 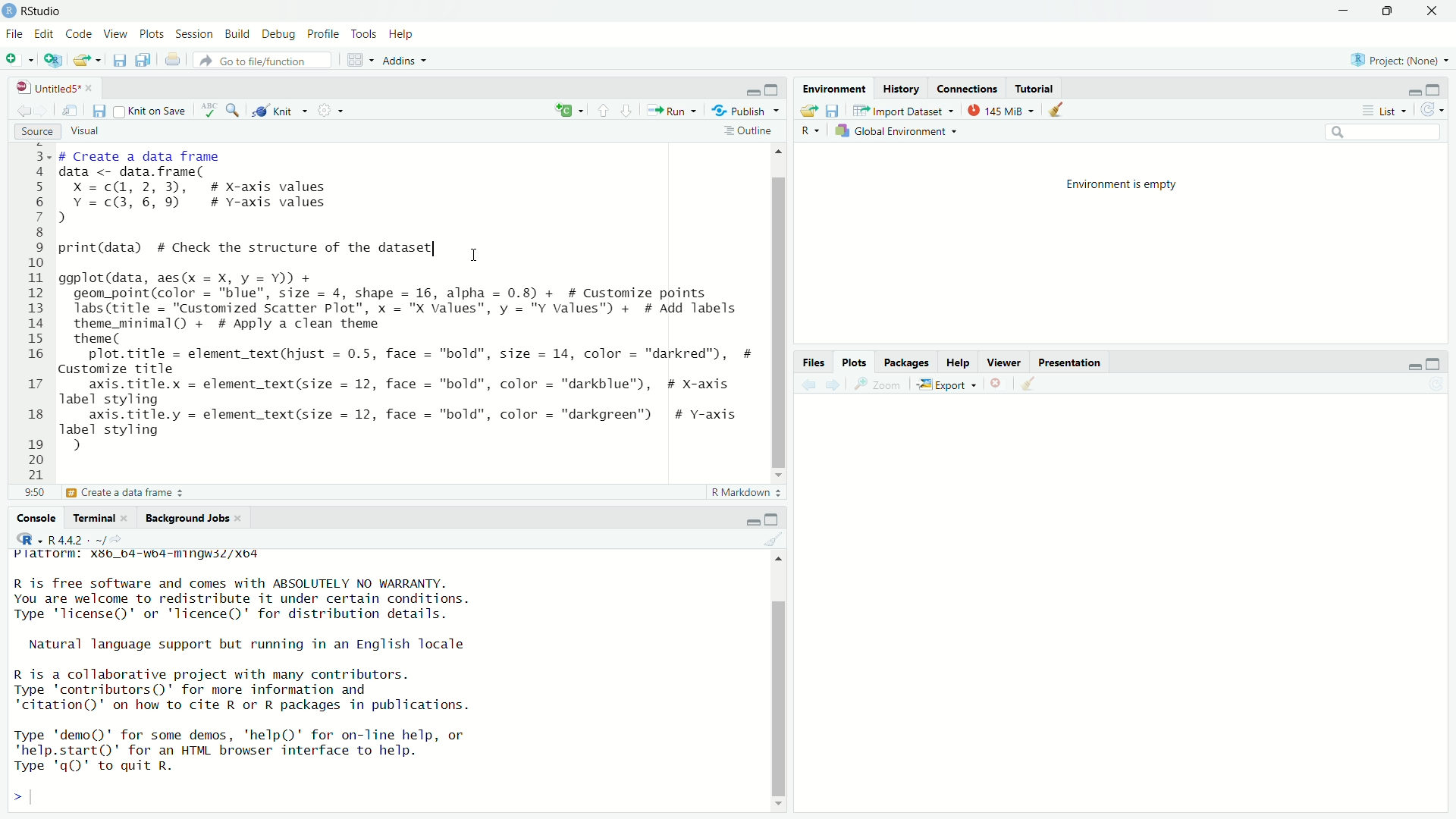 What do you see at coordinates (115, 34) in the screenshot?
I see `View` at bounding box center [115, 34].